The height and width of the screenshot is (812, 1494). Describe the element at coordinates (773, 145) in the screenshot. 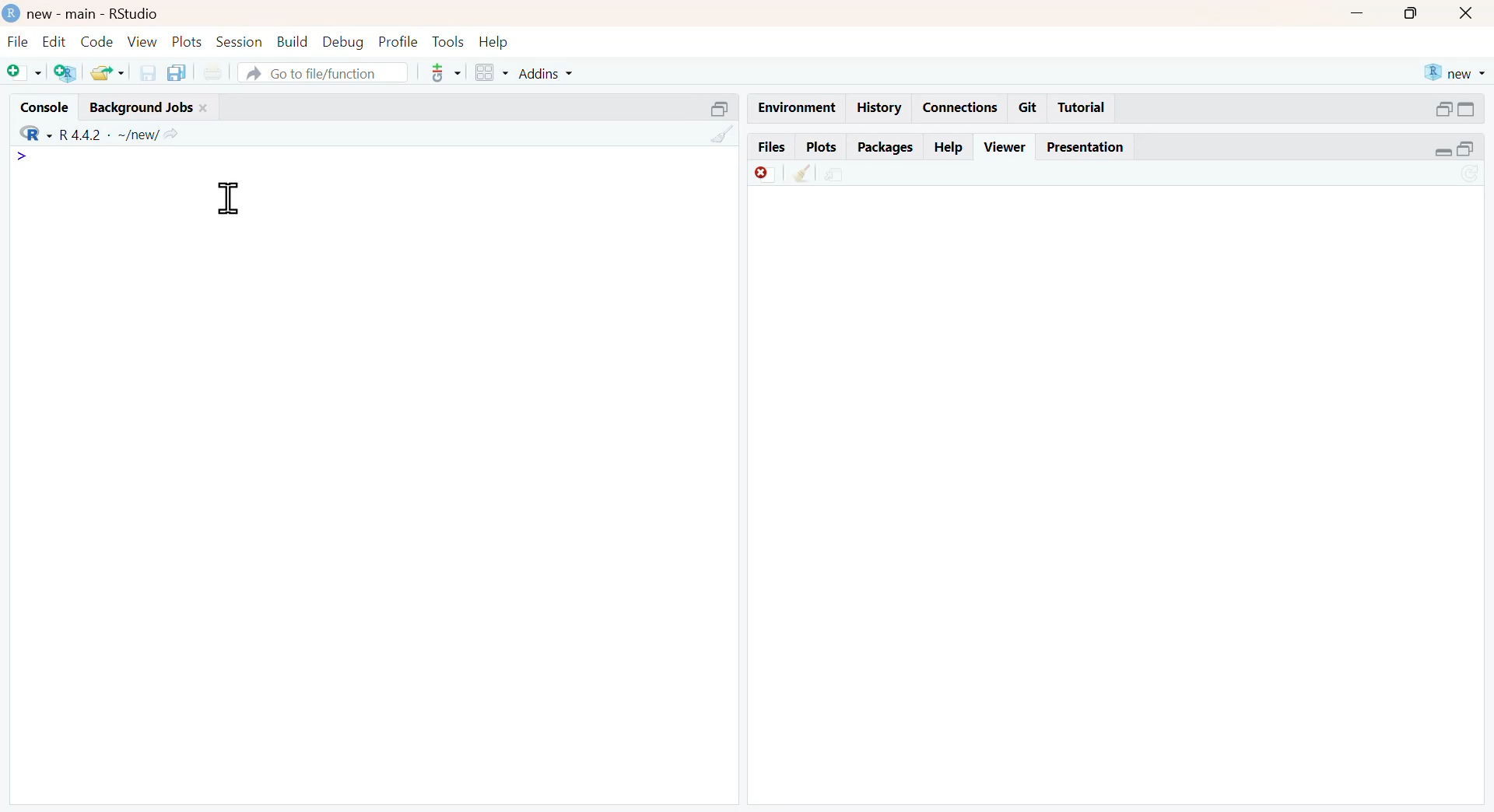

I see `files` at that location.